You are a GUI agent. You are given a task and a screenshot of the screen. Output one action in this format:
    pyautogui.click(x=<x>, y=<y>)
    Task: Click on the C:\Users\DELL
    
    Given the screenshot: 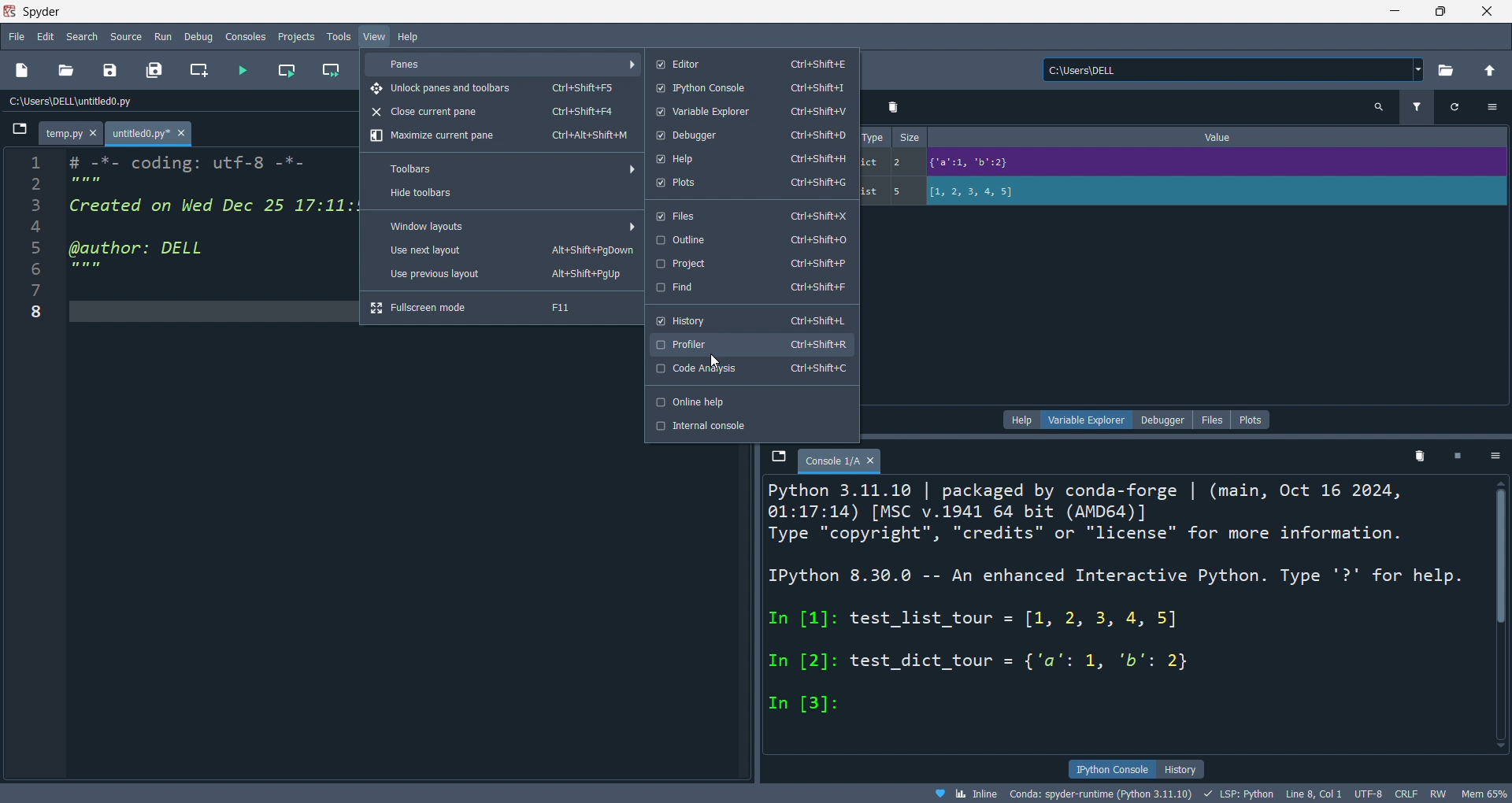 What is the action you would take?
    pyautogui.click(x=1231, y=68)
    